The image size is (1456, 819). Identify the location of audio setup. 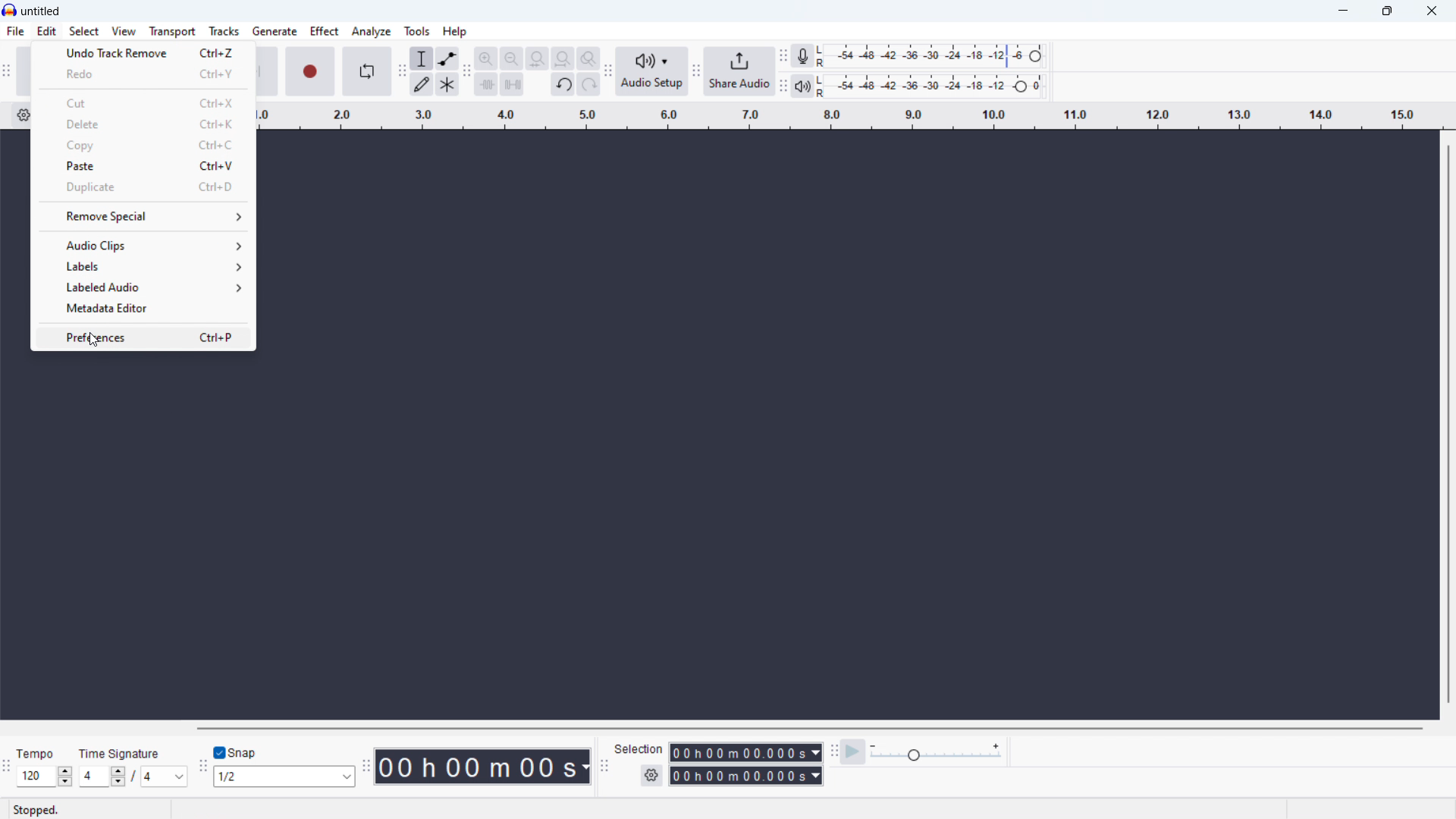
(651, 71).